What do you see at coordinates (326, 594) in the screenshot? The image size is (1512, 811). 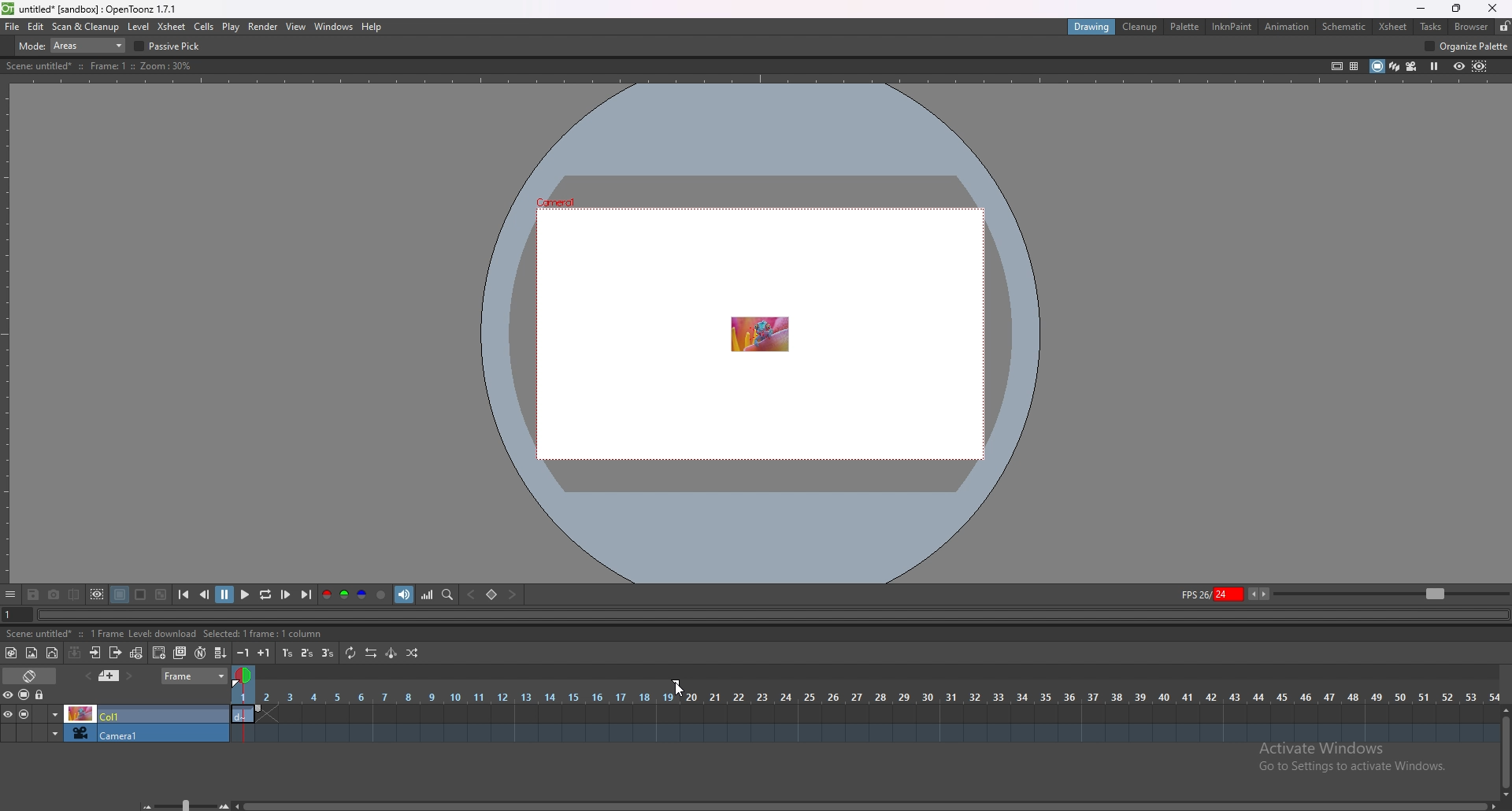 I see `red channel` at bounding box center [326, 594].